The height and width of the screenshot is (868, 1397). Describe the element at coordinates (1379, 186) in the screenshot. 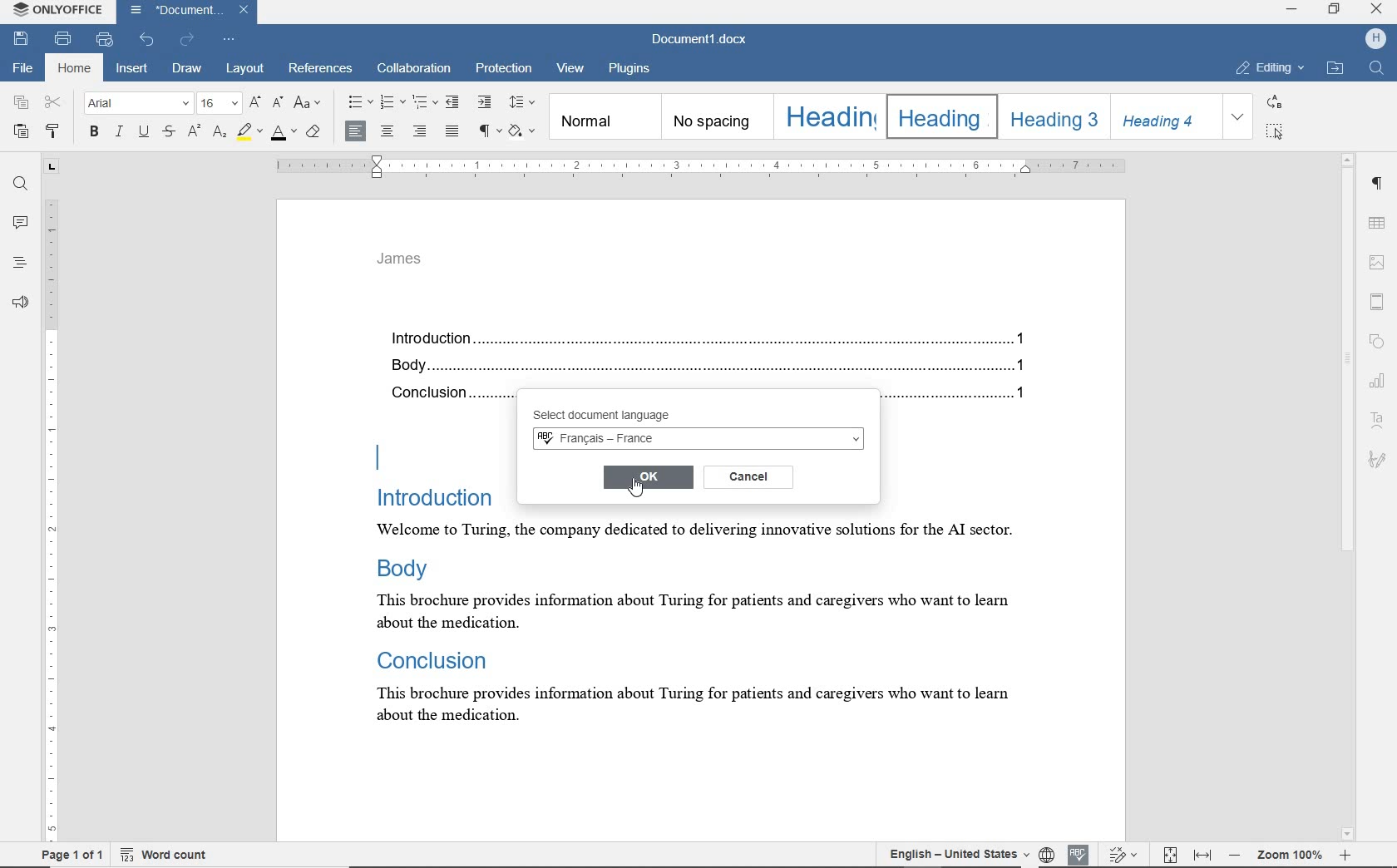

I see `paragraph settings` at that location.